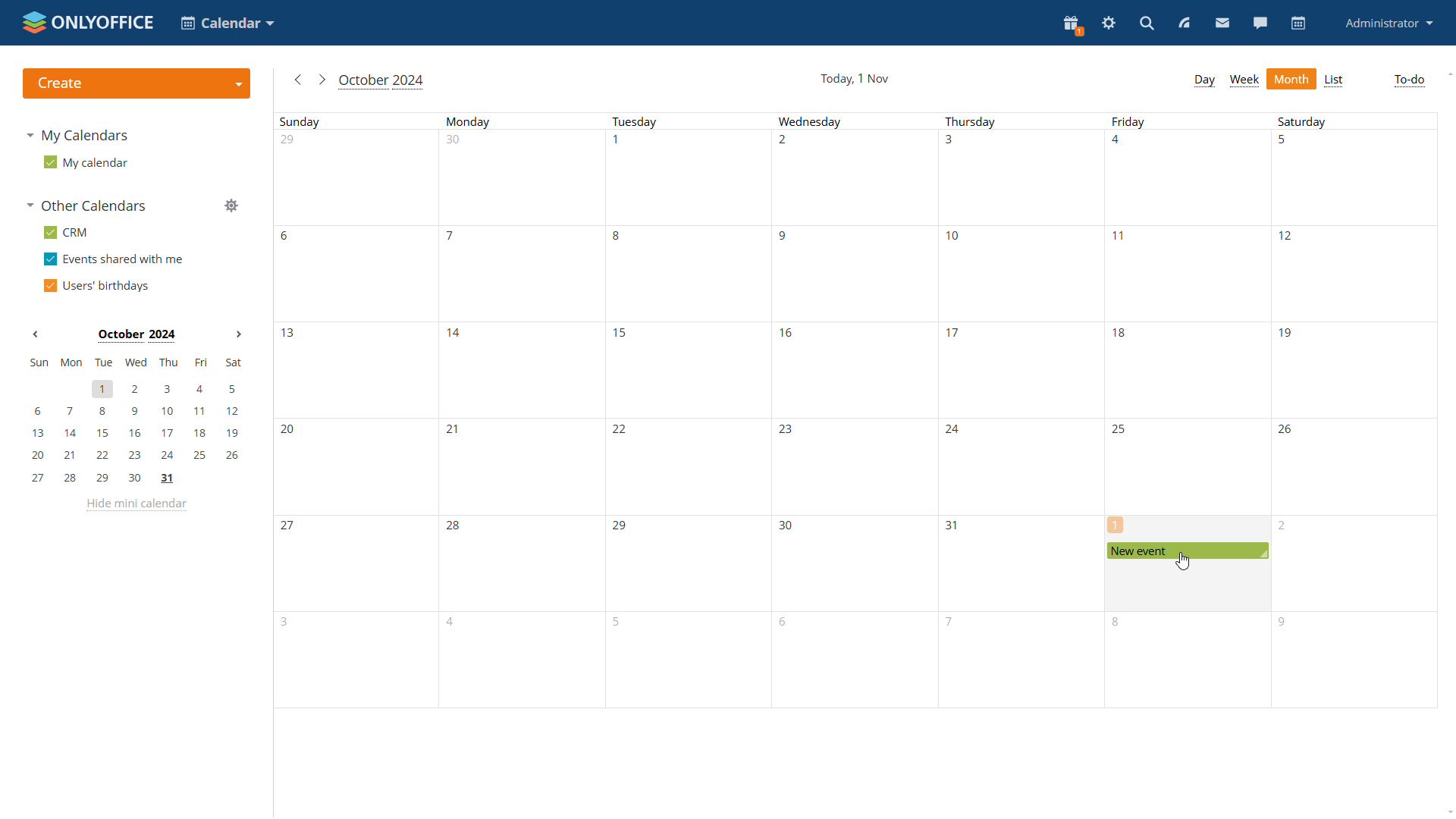 The image size is (1456, 819). What do you see at coordinates (1183, 562) in the screenshot?
I see `cursor` at bounding box center [1183, 562].